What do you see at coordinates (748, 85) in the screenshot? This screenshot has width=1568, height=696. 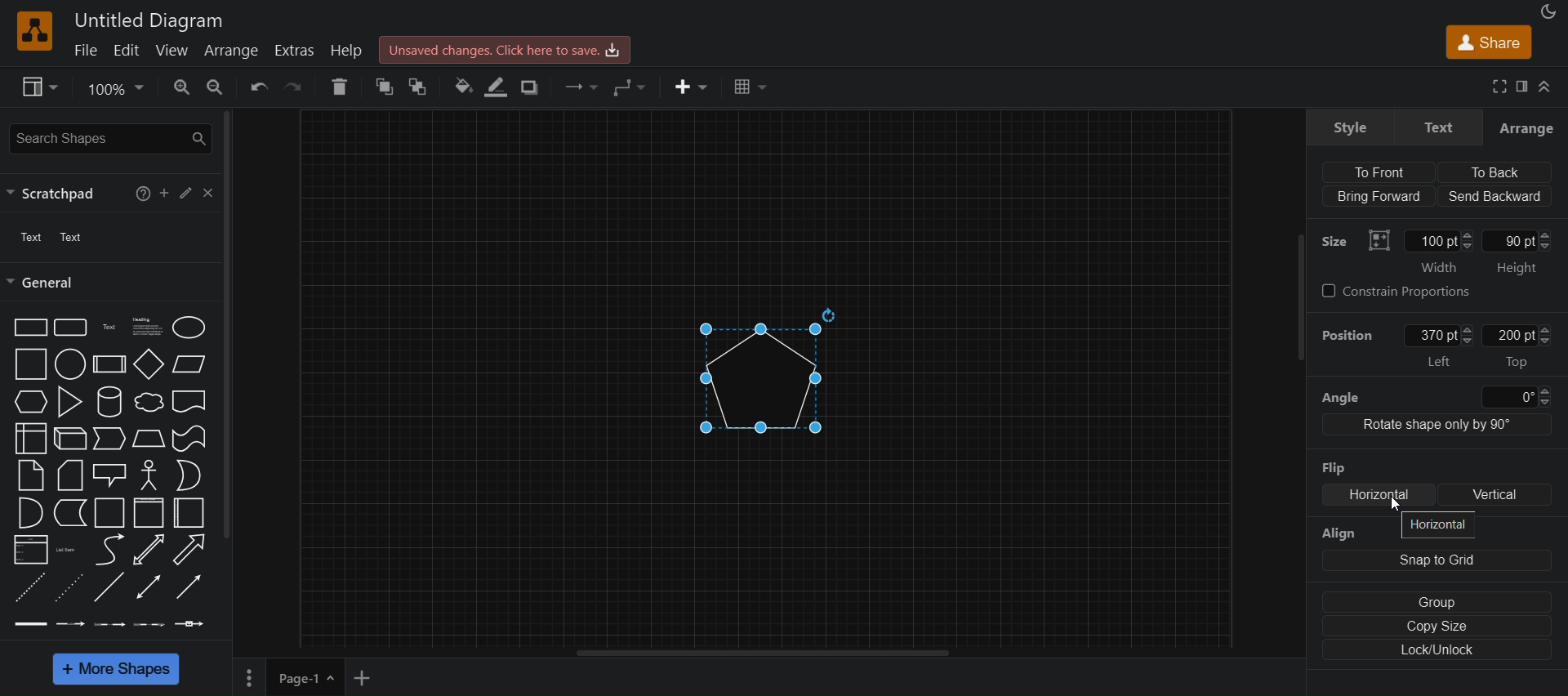 I see `table` at bounding box center [748, 85].